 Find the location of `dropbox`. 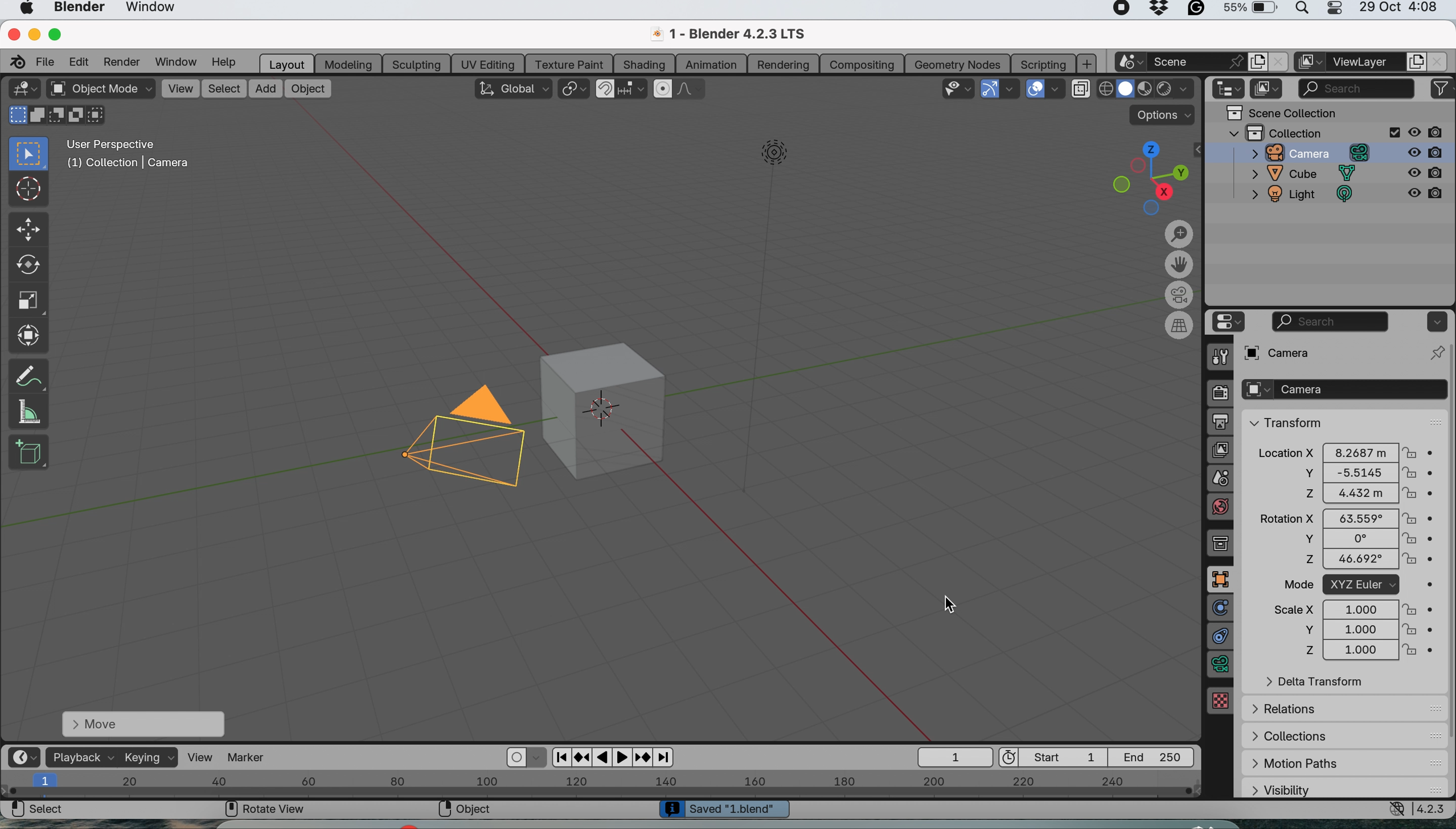

dropbox is located at coordinates (1160, 10).